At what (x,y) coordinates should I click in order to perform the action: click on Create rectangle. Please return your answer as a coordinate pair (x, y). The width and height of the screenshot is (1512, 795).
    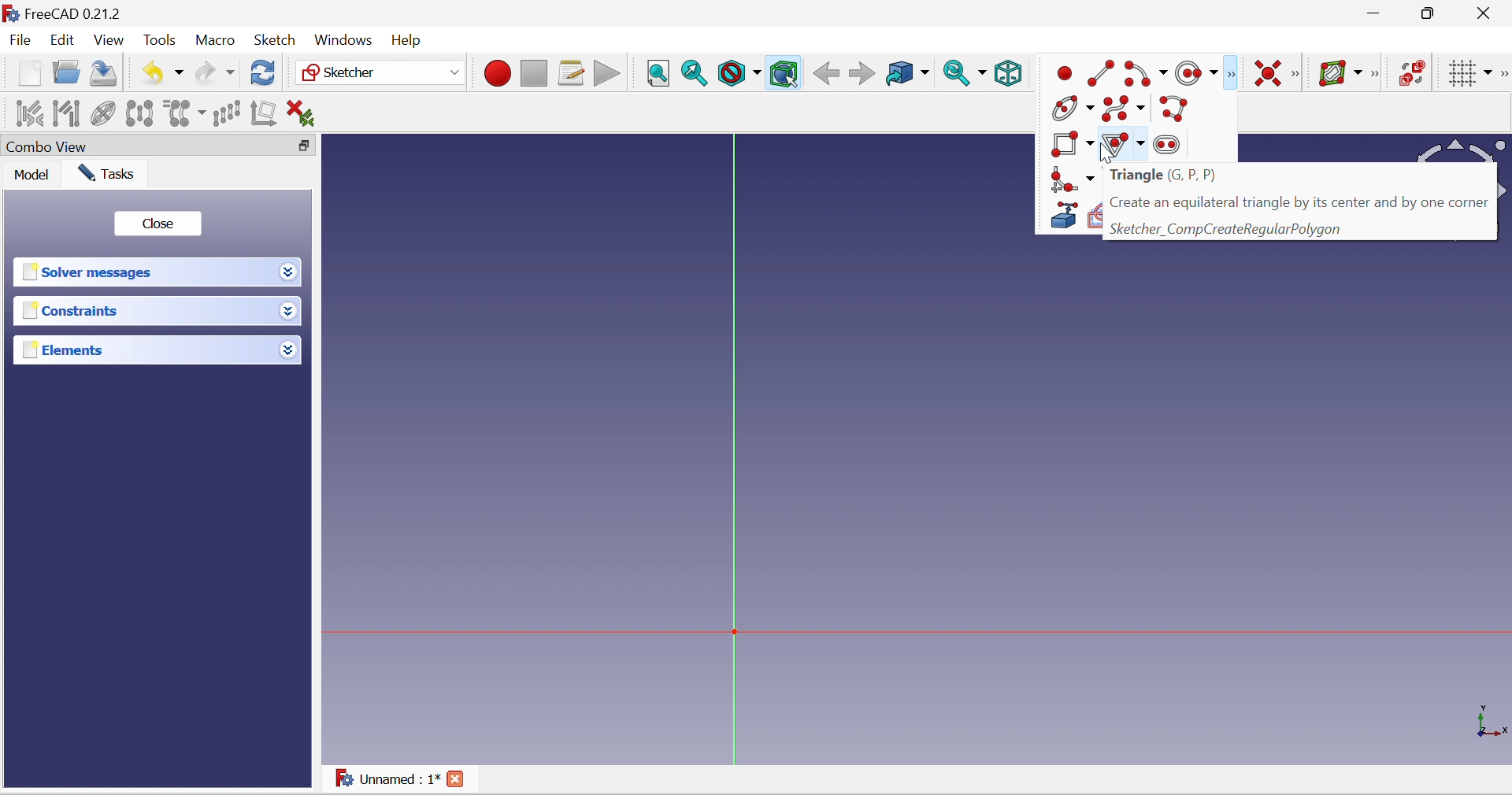
    Looking at the image, I should click on (1069, 144).